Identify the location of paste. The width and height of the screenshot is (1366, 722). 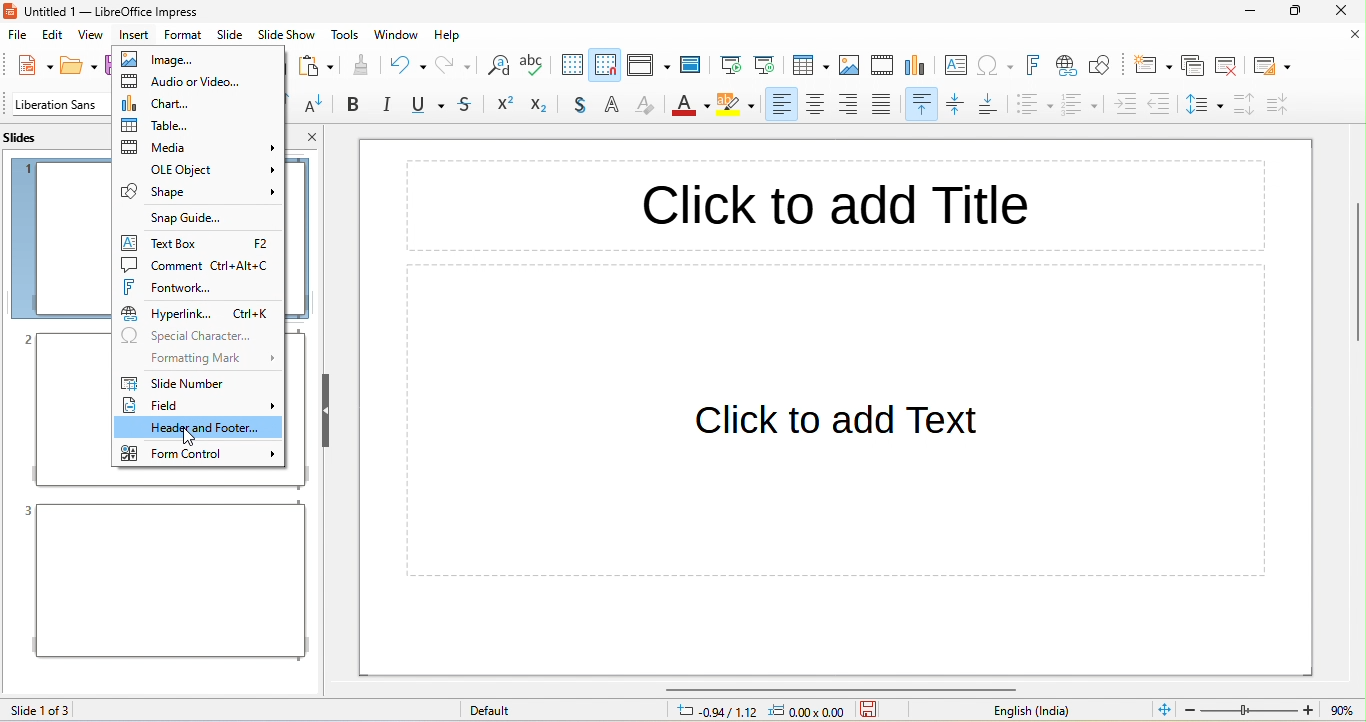
(316, 65).